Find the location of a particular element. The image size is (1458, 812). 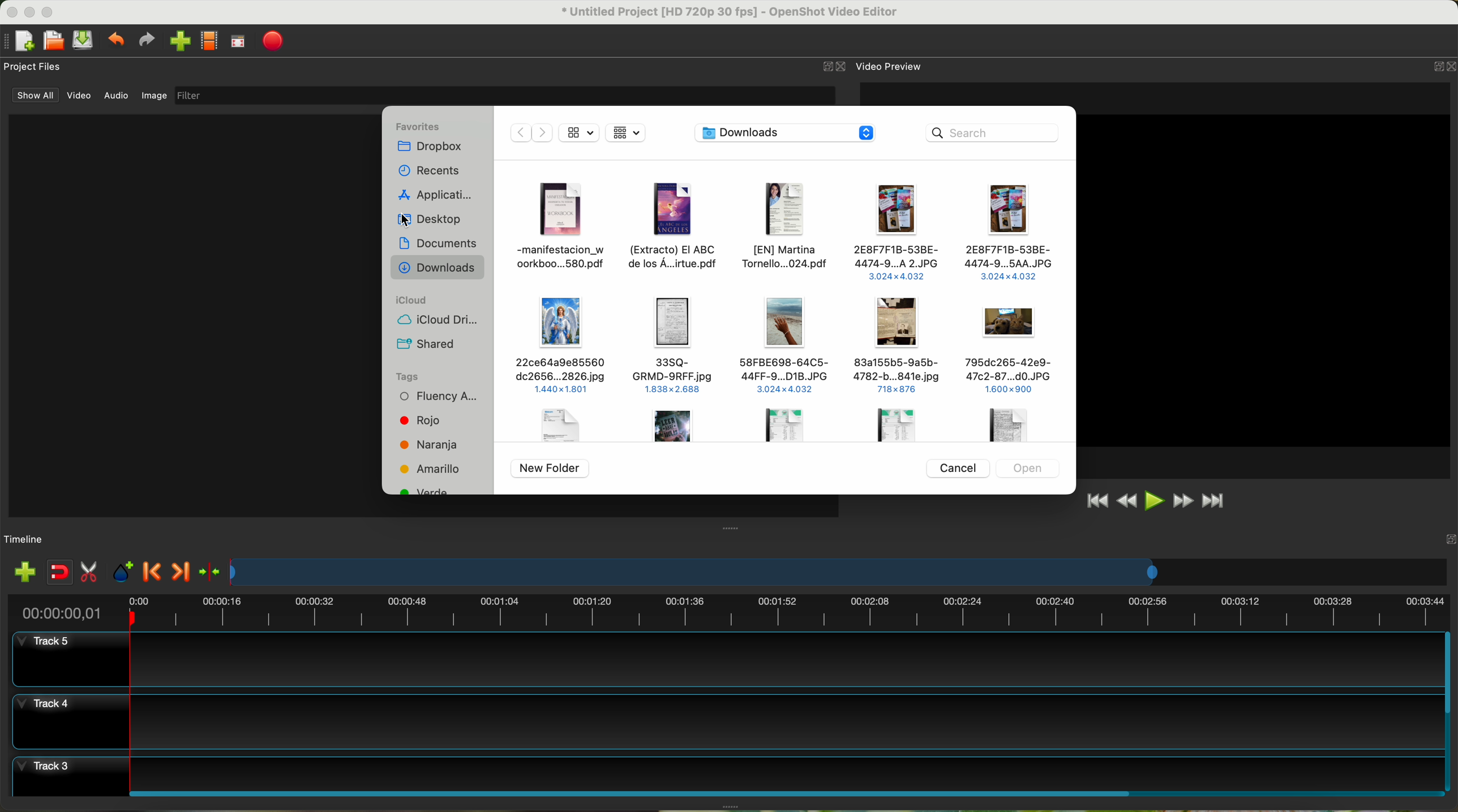

filter is located at coordinates (504, 95).